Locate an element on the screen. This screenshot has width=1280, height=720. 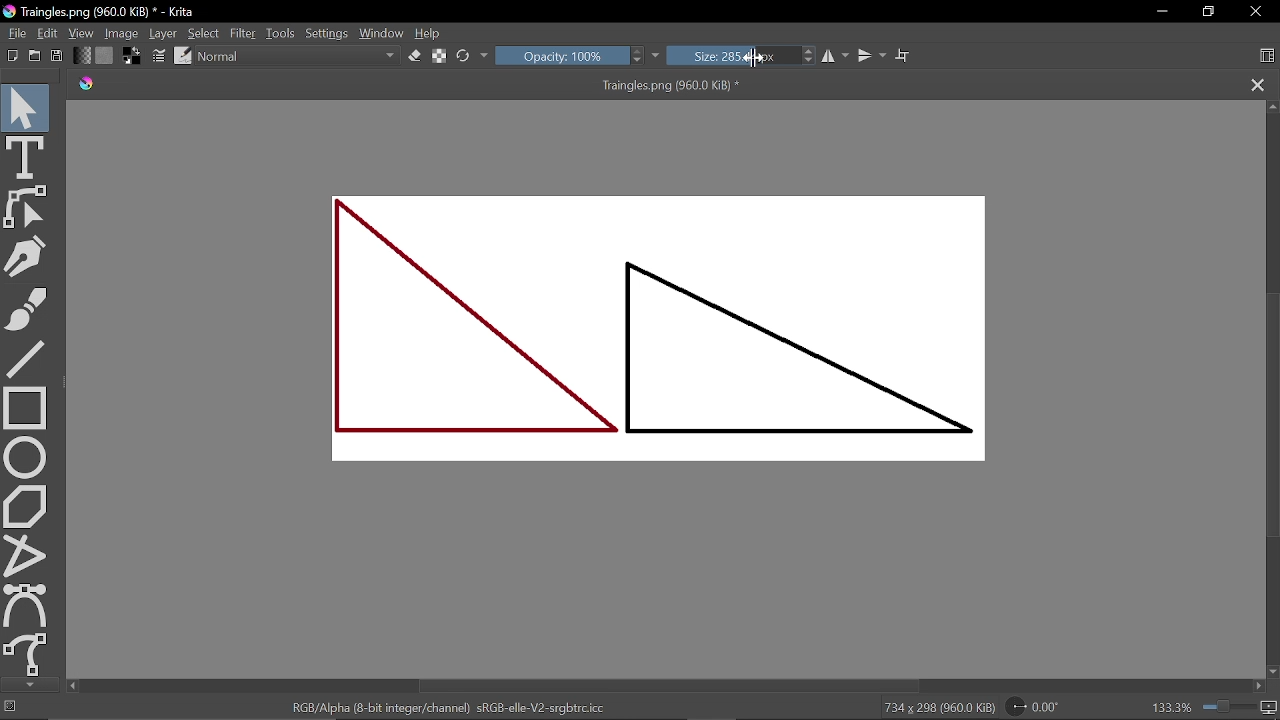
Traingles.png (960.0 KiB) * - Krita is located at coordinates (103, 13).